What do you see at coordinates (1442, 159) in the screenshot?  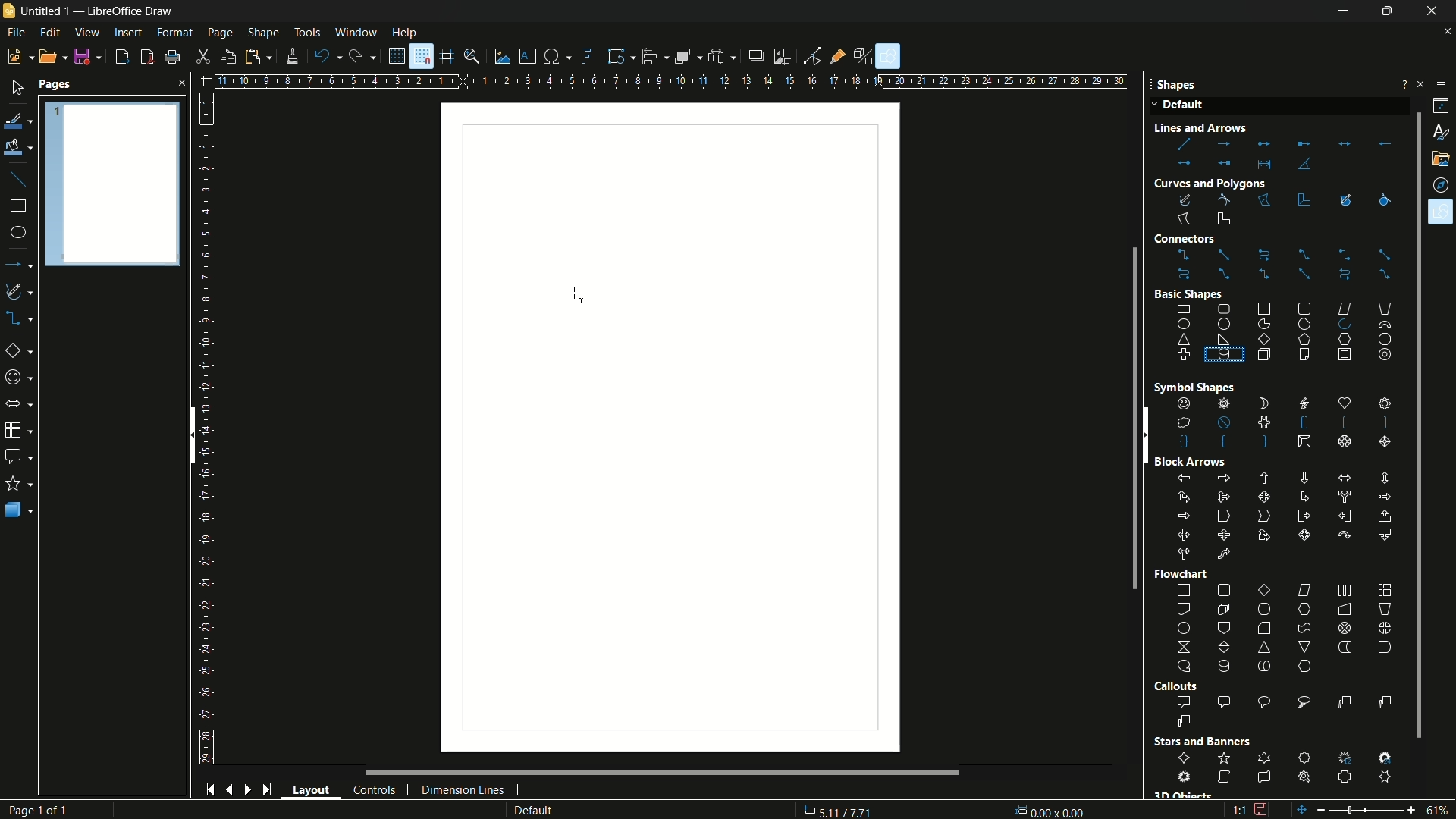 I see `gallery` at bounding box center [1442, 159].